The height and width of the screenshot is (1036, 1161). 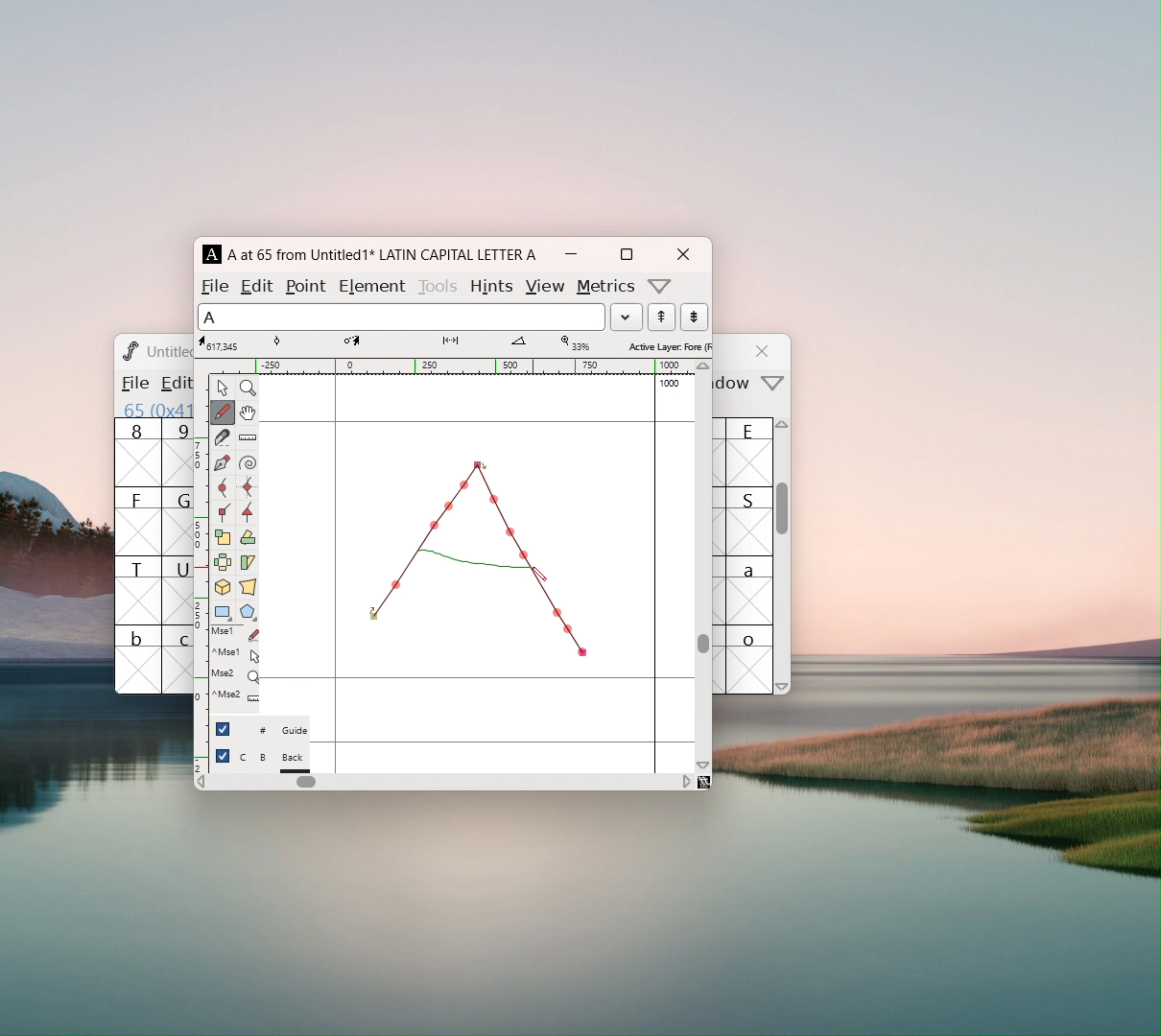 I want to click on Mse1, so click(x=237, y=634).